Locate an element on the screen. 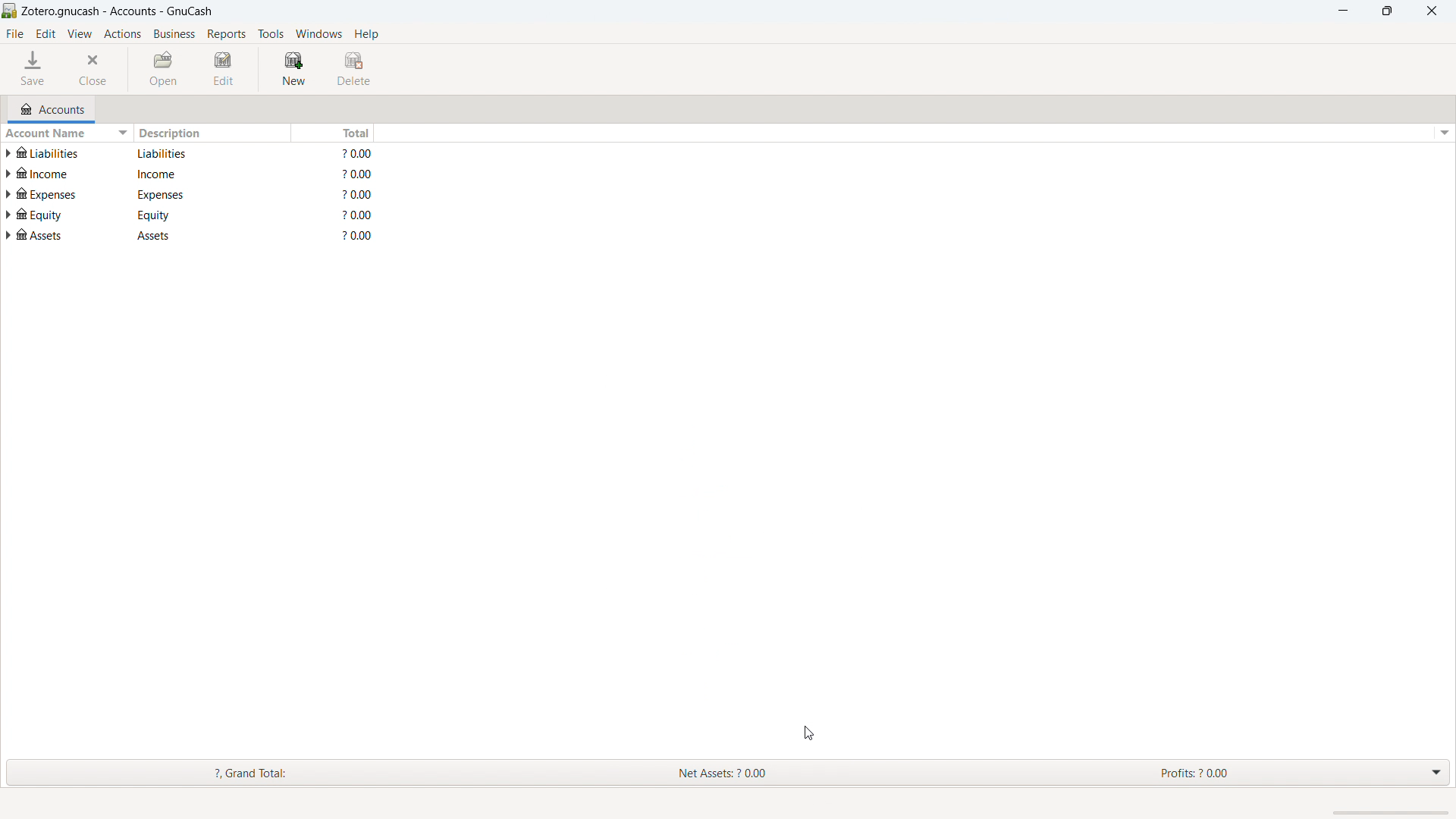  total is located at coordinates (355, 156).